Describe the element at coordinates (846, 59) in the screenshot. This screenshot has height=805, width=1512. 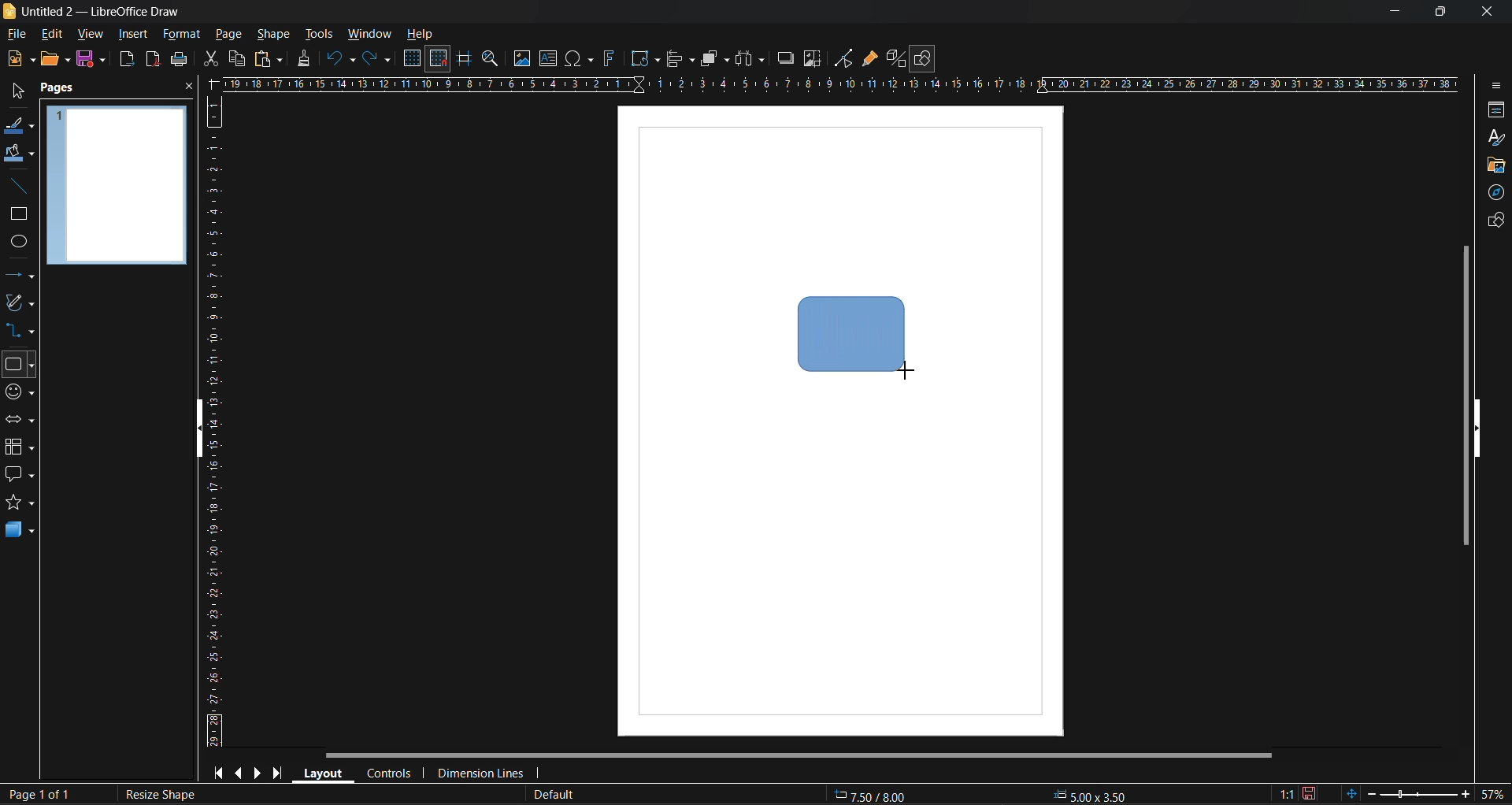
I see `toggle point edit mode` at that location.